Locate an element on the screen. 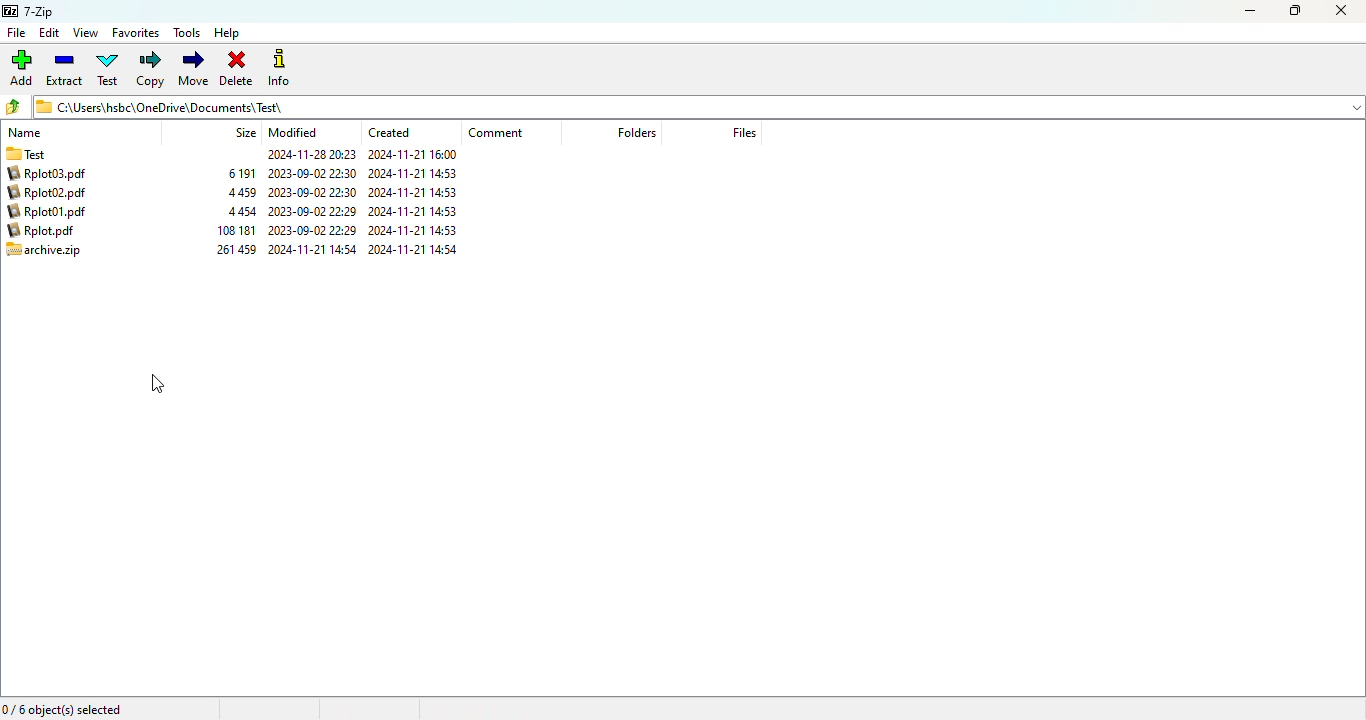 This screenshot has height=720, width=1366. 2024-11-21 14:53 is located at coordinates (416, 249).